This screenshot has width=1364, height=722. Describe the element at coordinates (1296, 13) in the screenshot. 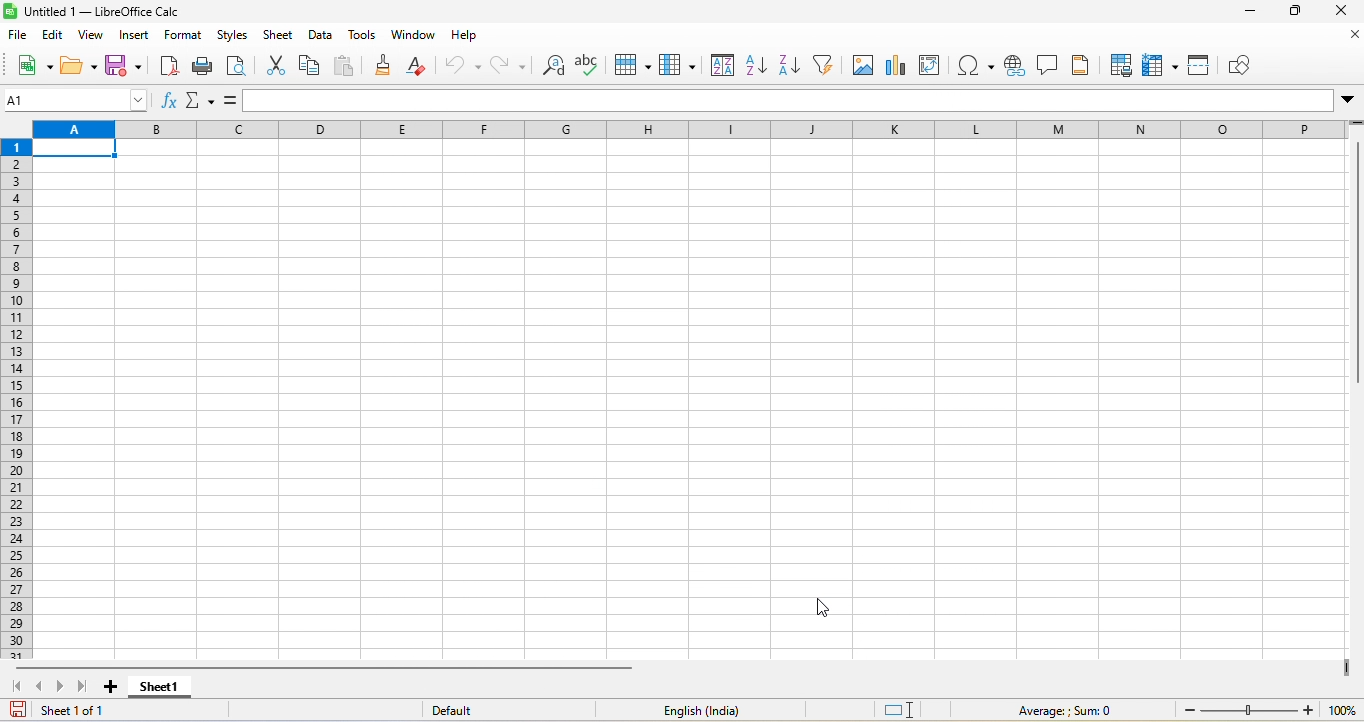

I see `maximize` at that location.